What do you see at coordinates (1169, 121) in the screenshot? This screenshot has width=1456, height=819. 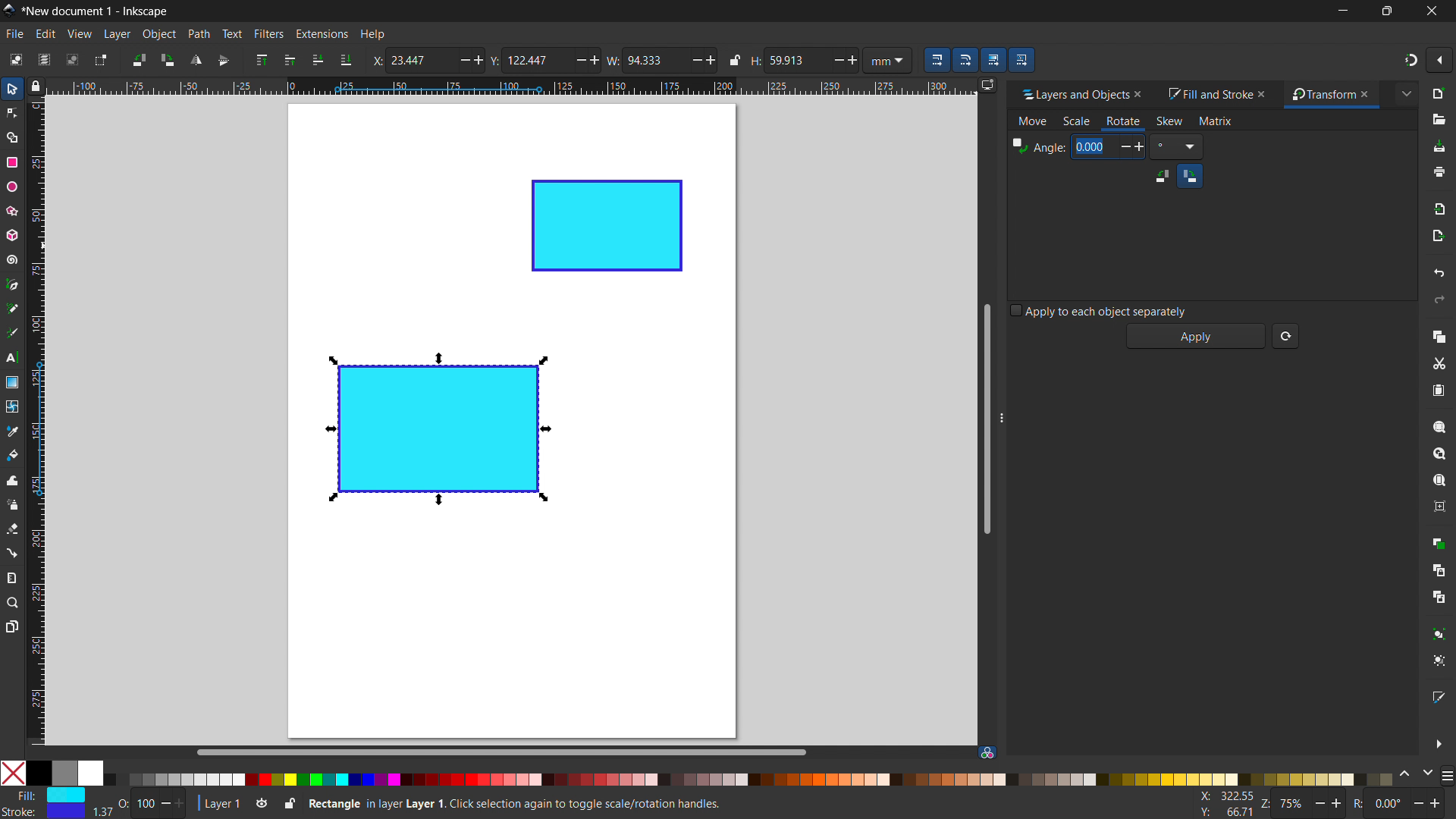 I see `skew` at bounding box center [1169, 121].